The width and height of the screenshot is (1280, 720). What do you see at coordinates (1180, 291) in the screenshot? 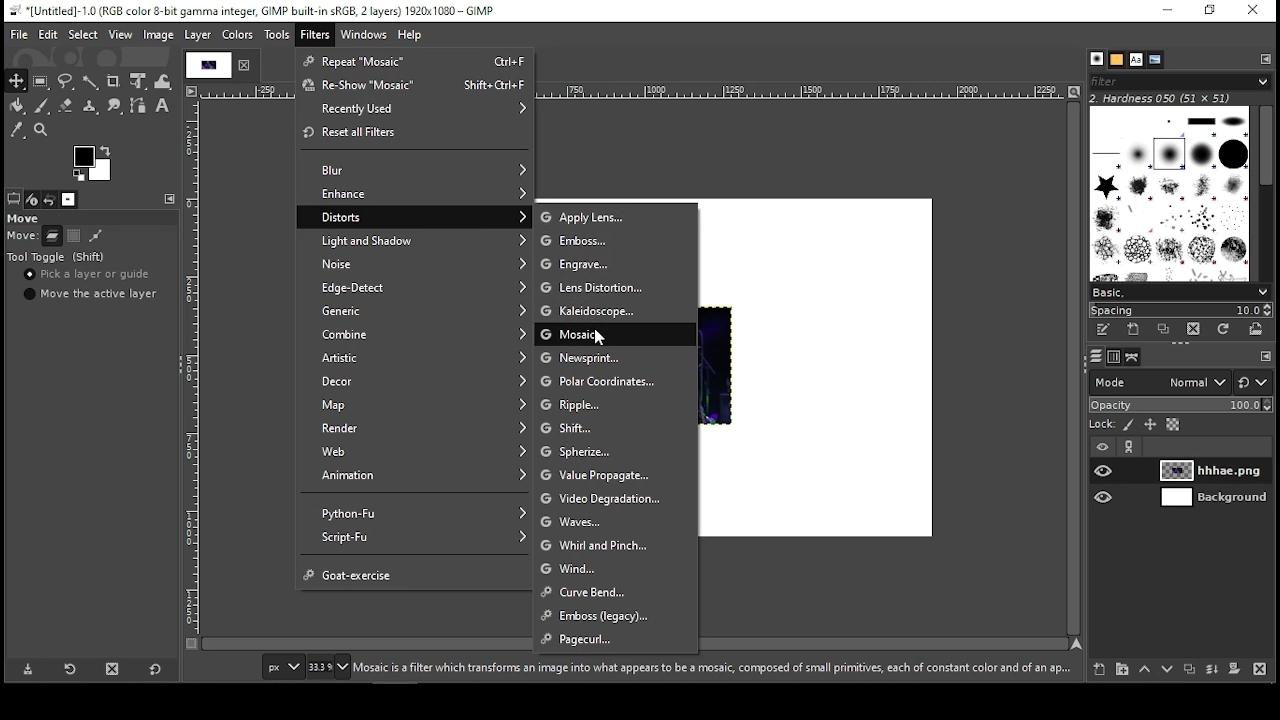
I see `select brush preset` at bounding box center [1180, 291].